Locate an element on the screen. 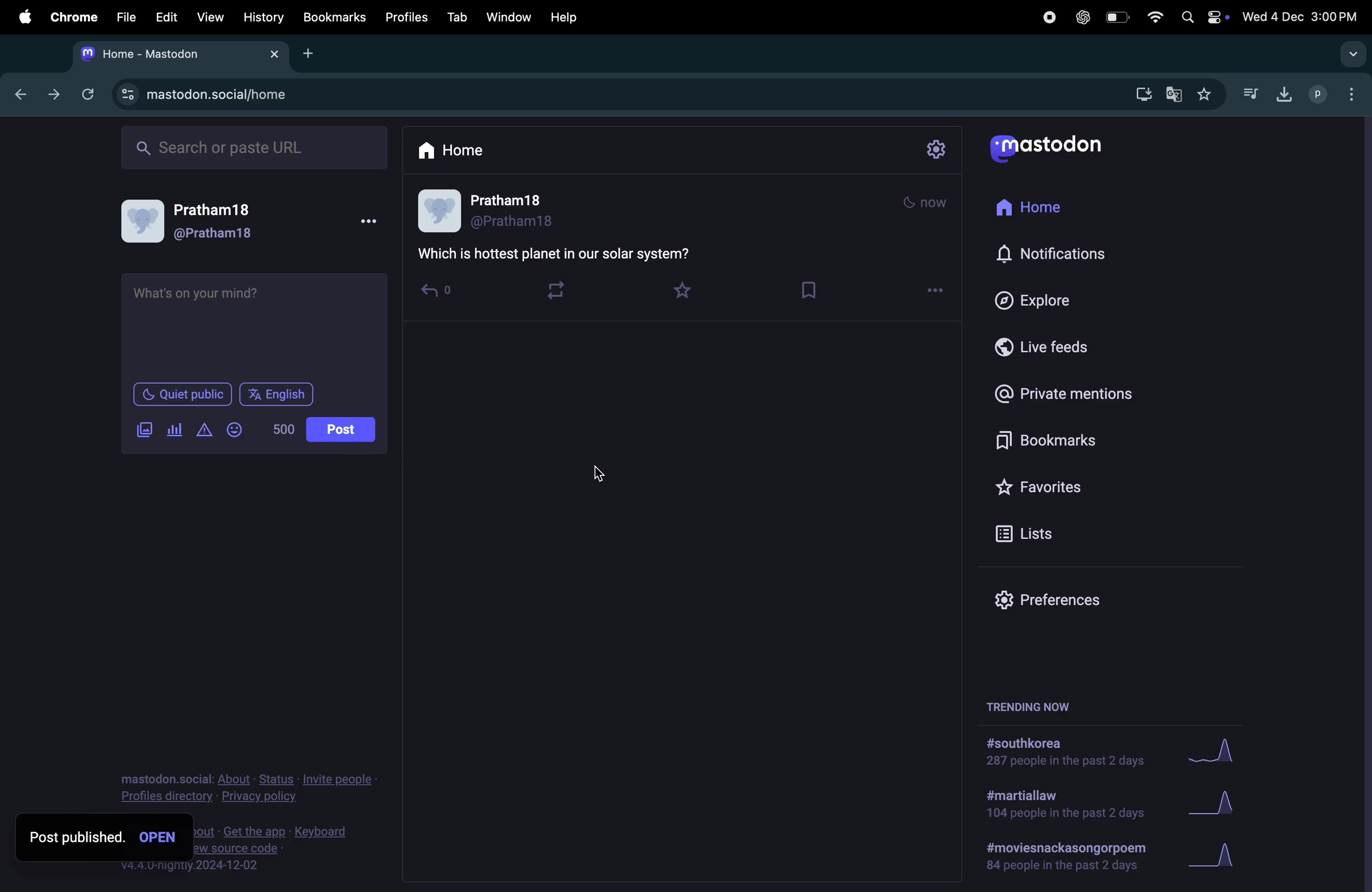 The width and height of the screenshot is (1372, 892). mastodon url is located at coordinates (224, 94).